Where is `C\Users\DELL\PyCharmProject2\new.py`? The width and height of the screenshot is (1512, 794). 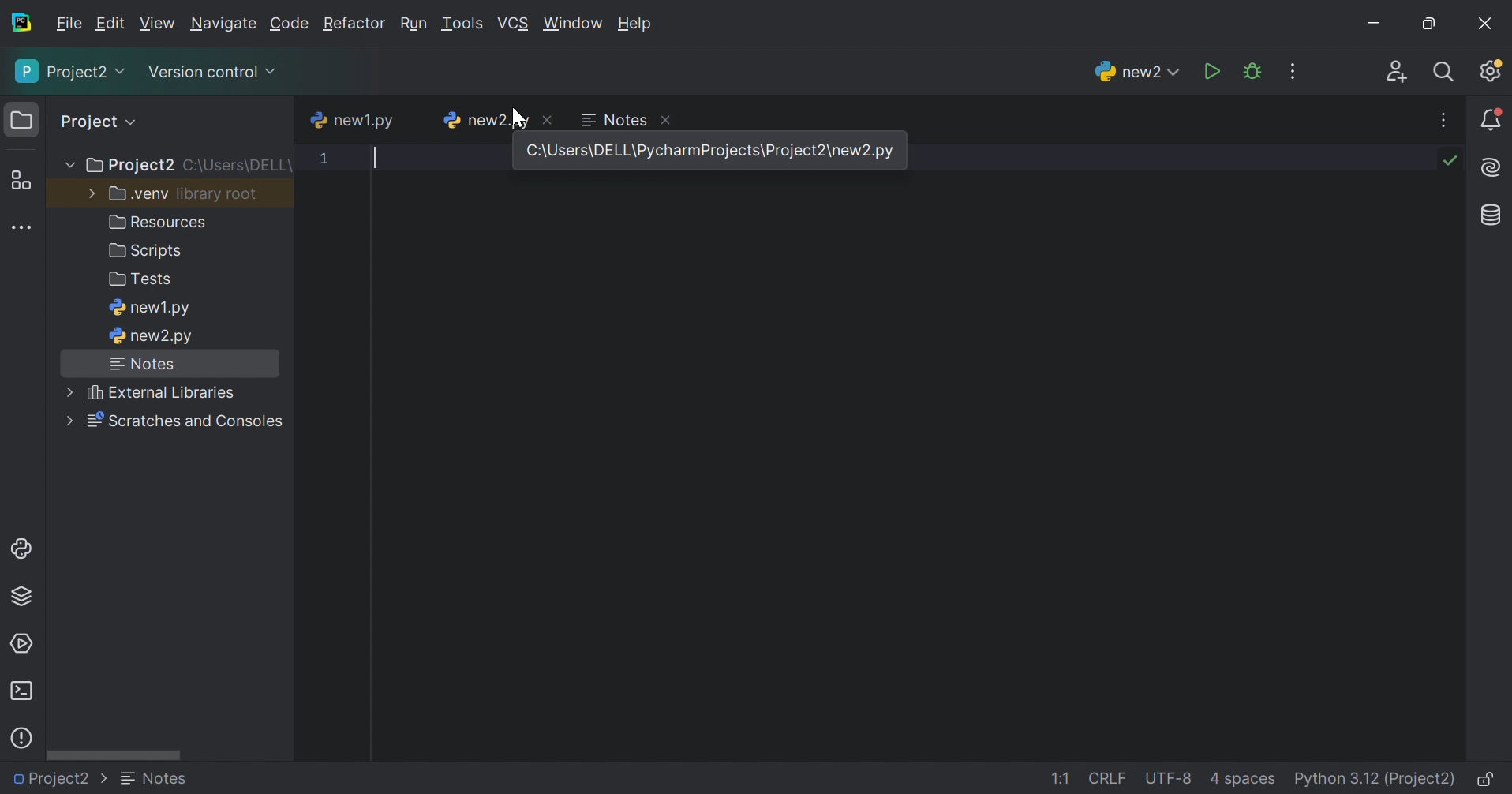
C\Users\DELL\PyCharmProject2\new.py is located at coordinates (714, 151).